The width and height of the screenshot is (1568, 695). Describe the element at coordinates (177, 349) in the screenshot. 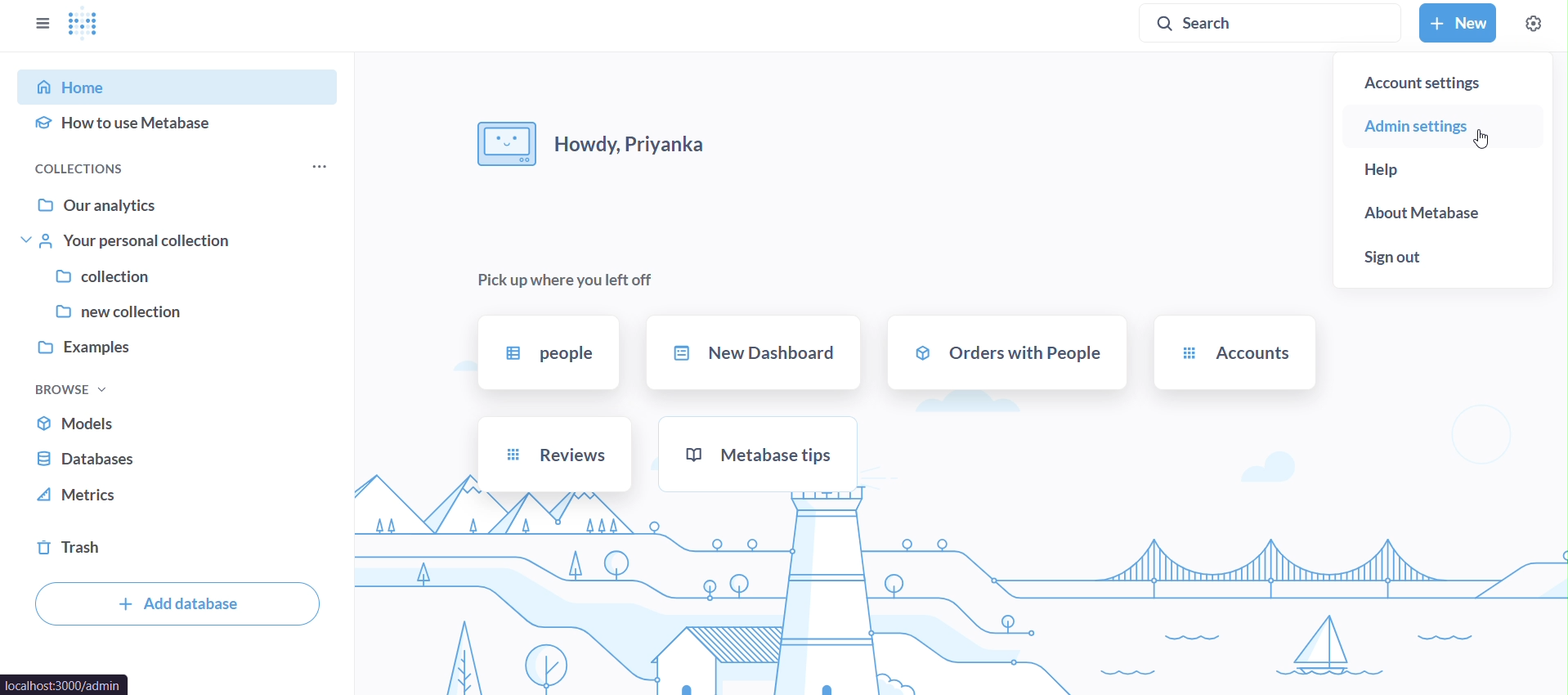

I see `examples` at that location.